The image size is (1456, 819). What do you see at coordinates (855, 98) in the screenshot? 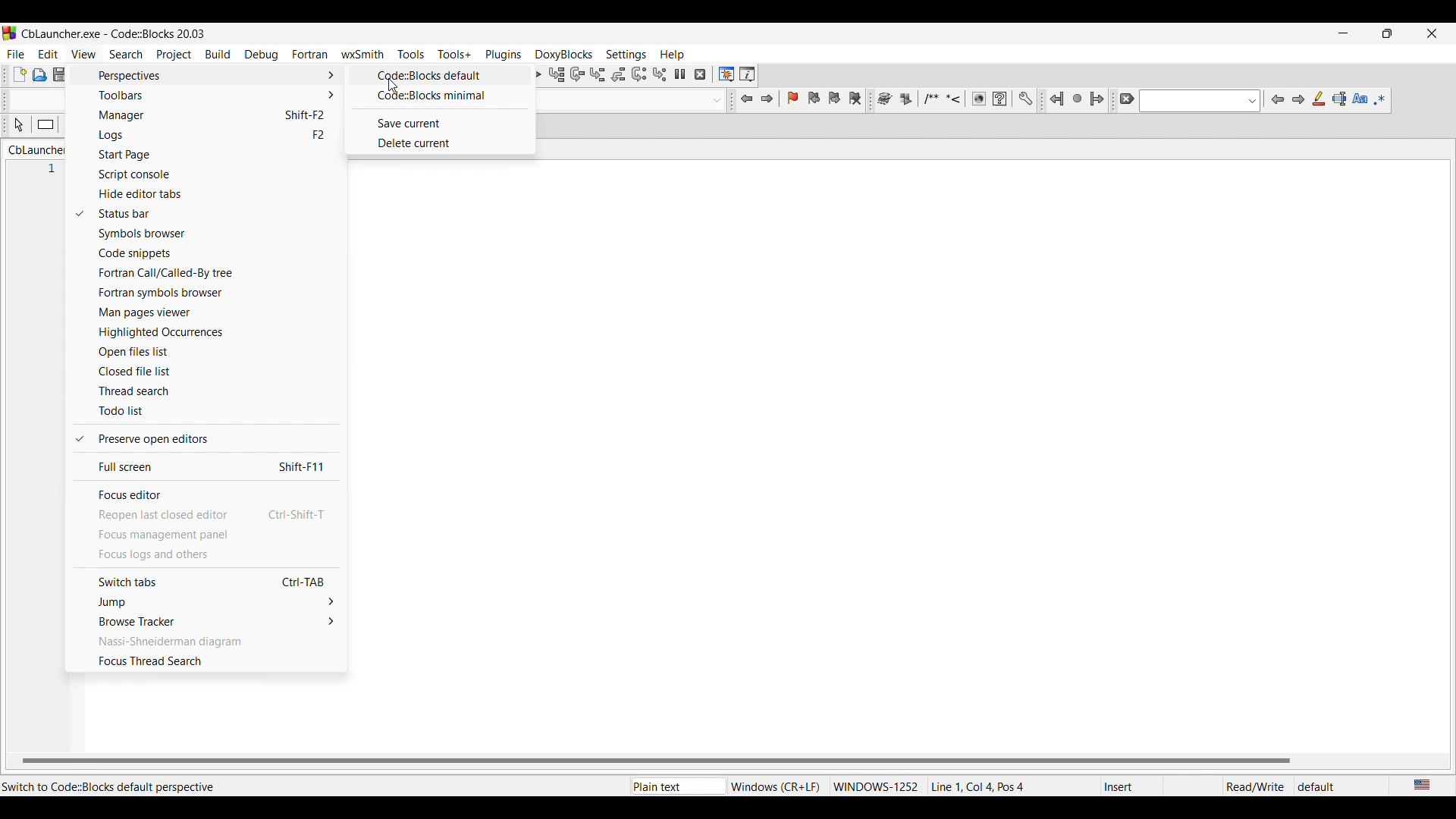
I see `Clear bookmarks` at bounding box center [855, 98].